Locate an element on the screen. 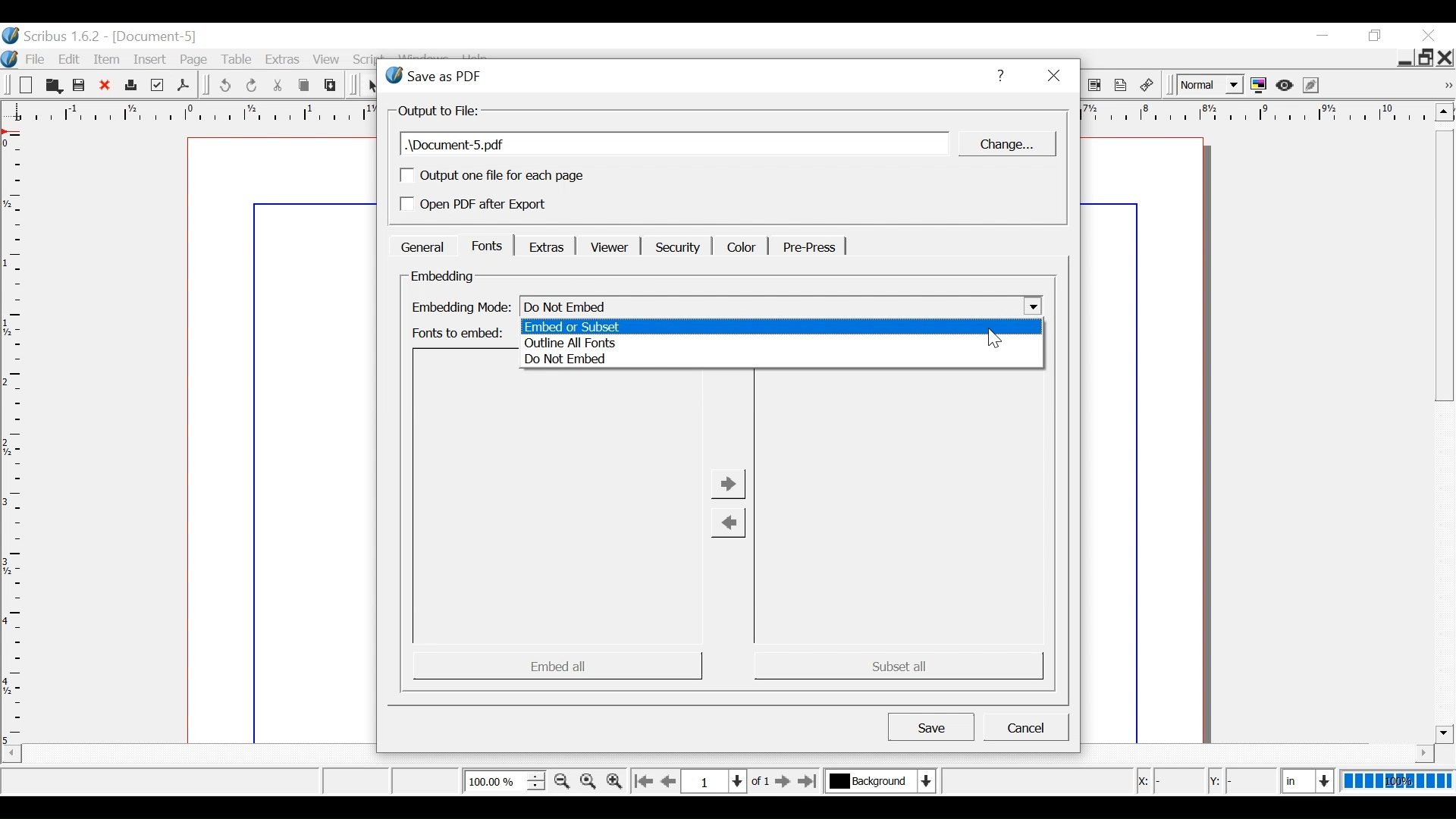 The height and width of the screenshot is (819, 1456). Go to the first page is located at coordinates (642, 782).